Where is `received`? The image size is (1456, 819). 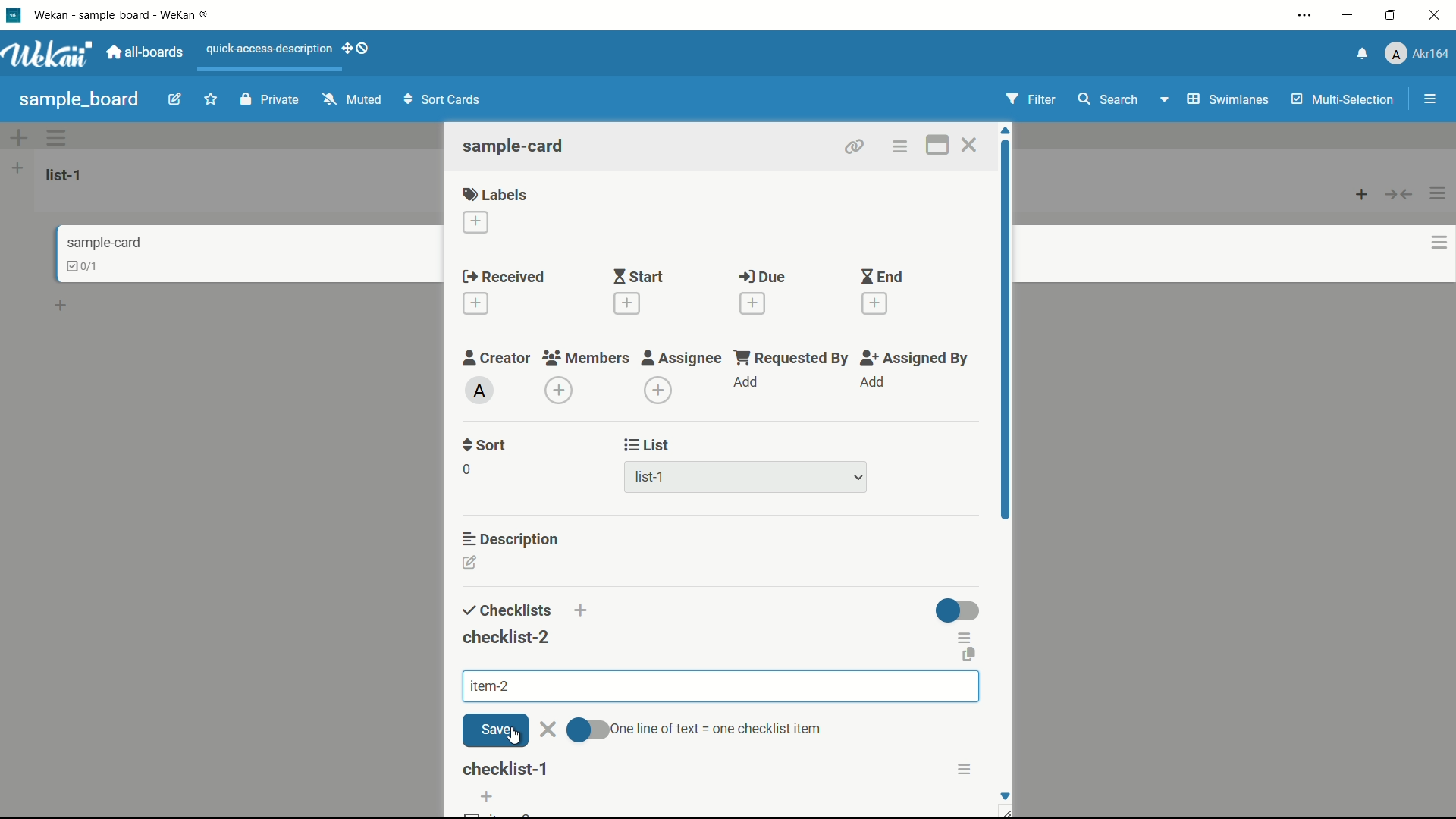
received is located at coordinates (504, 278).